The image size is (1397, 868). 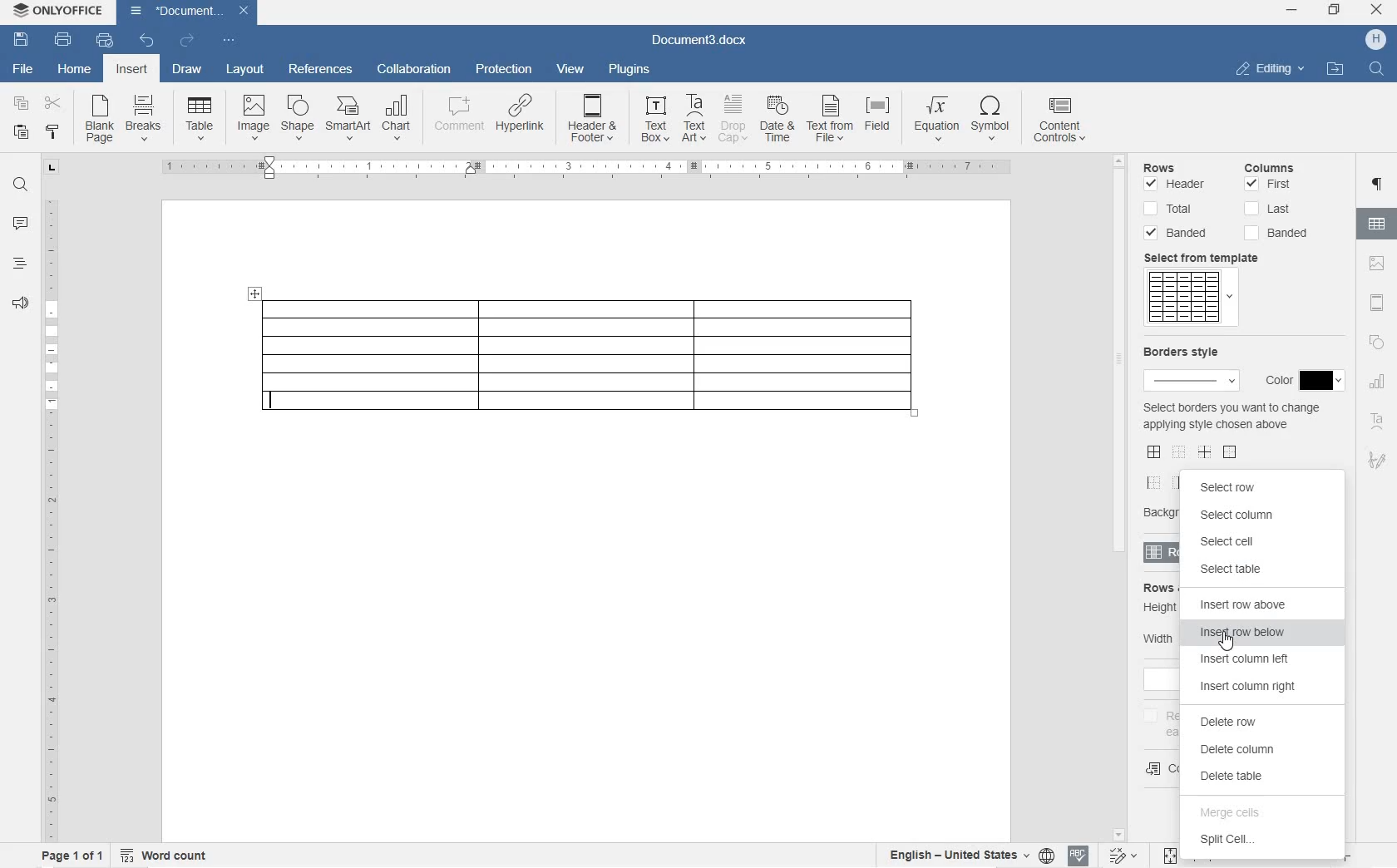 I want to click on RULER, so click(x=575, y=168).